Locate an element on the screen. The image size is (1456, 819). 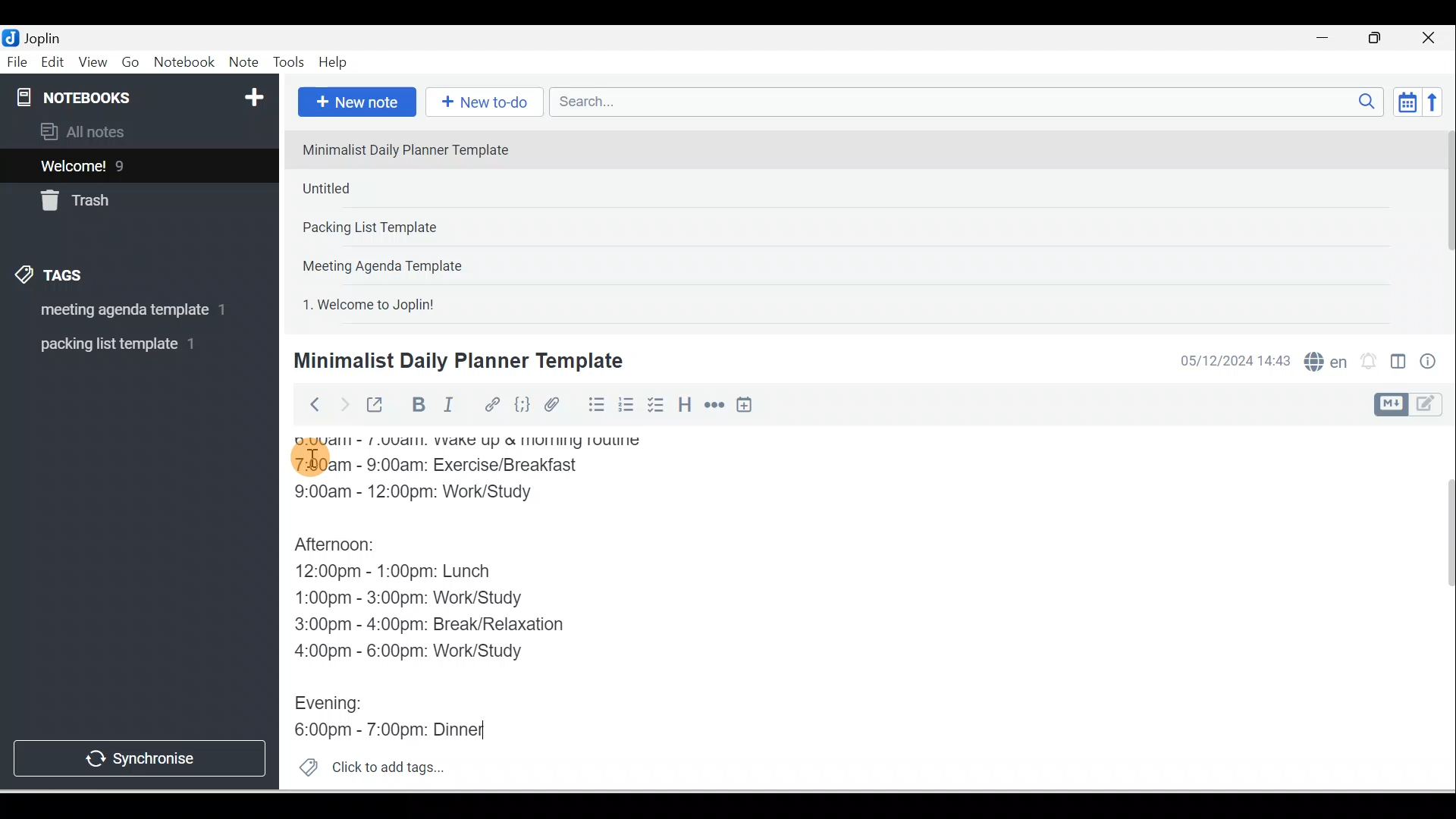
Trash is located at coordinates (111, 196).